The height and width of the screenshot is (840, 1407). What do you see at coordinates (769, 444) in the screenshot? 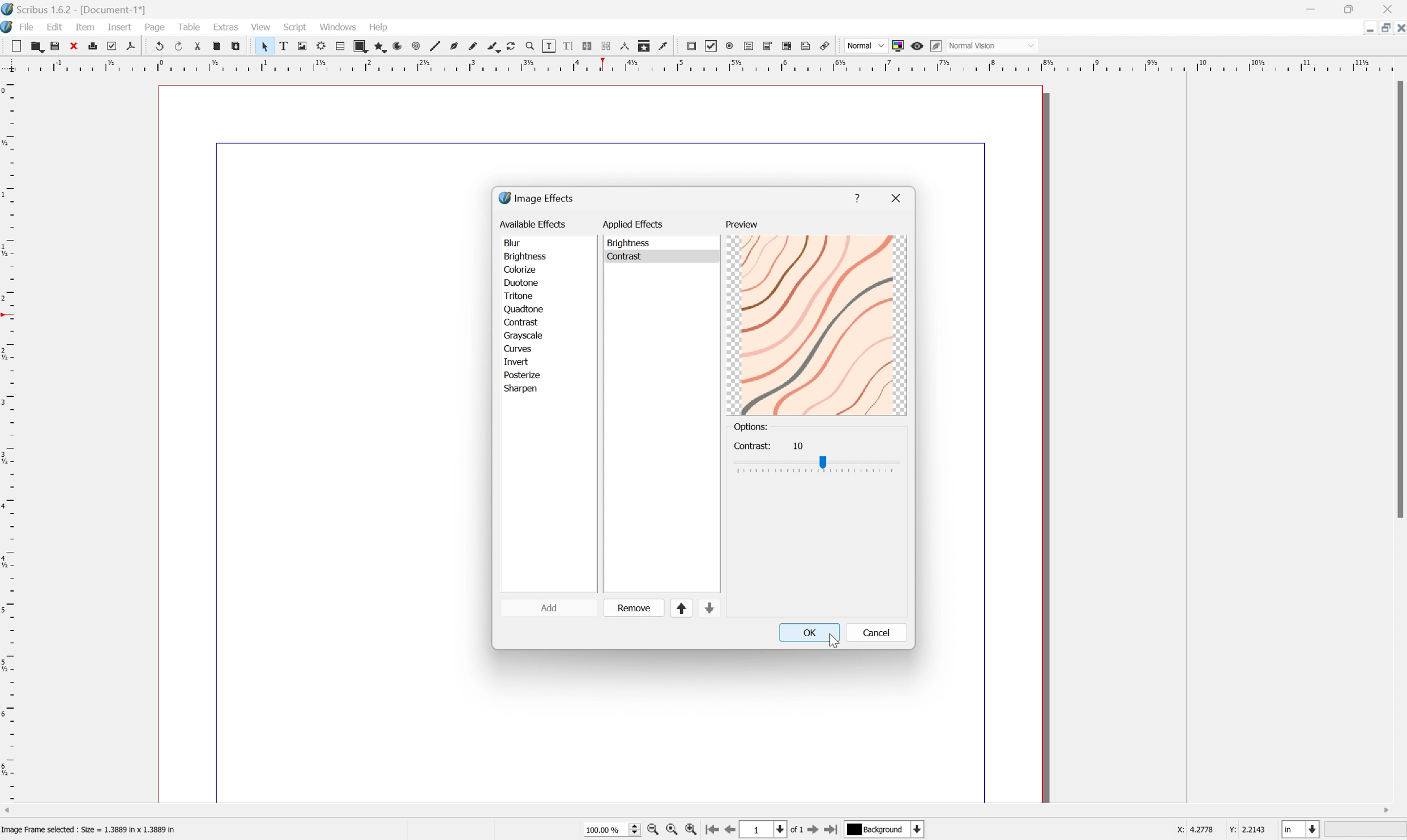
I see `Contrast: 10` at bounding box center [769, 444].